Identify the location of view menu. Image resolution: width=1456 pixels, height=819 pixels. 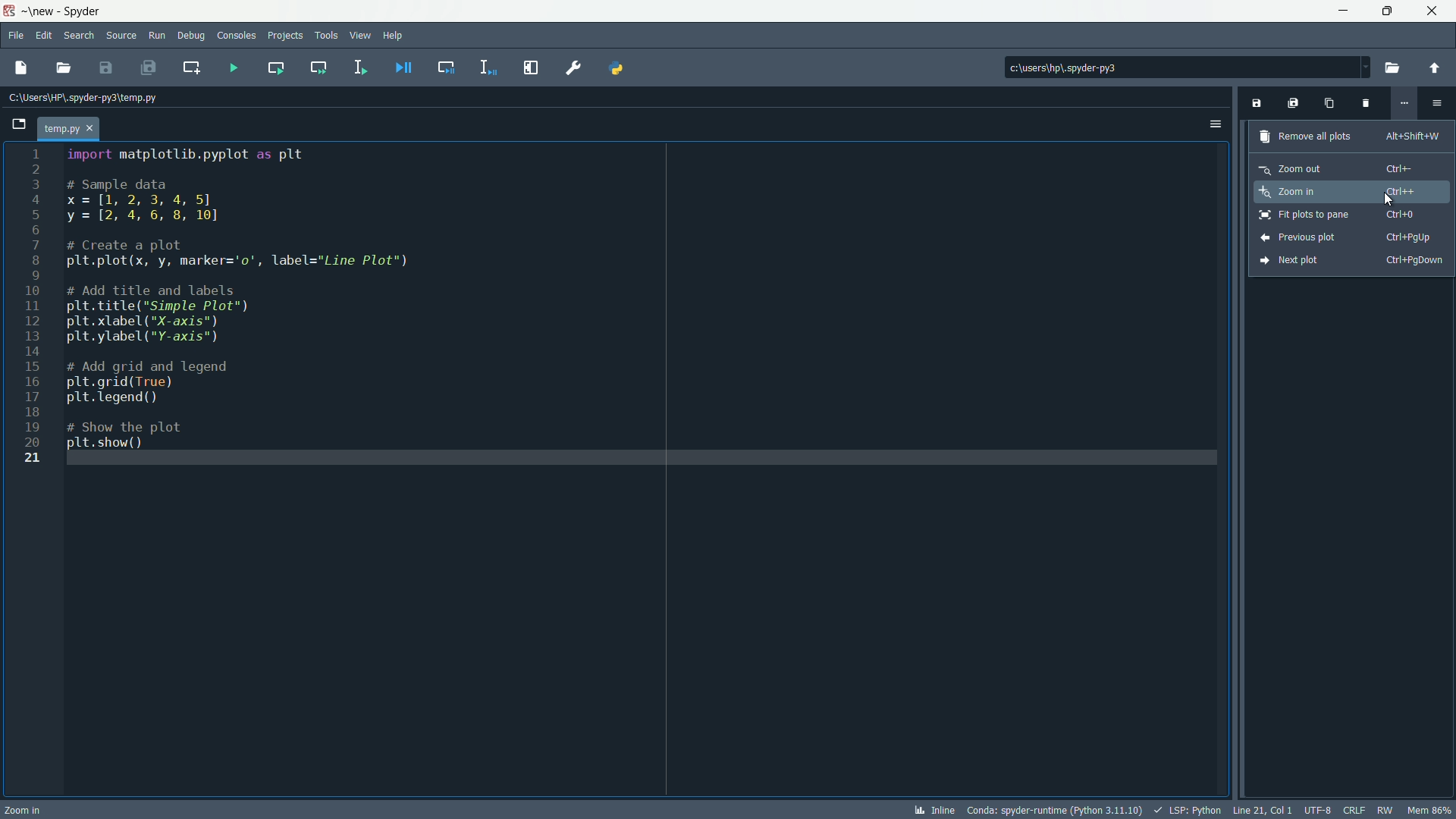
(359, 36).